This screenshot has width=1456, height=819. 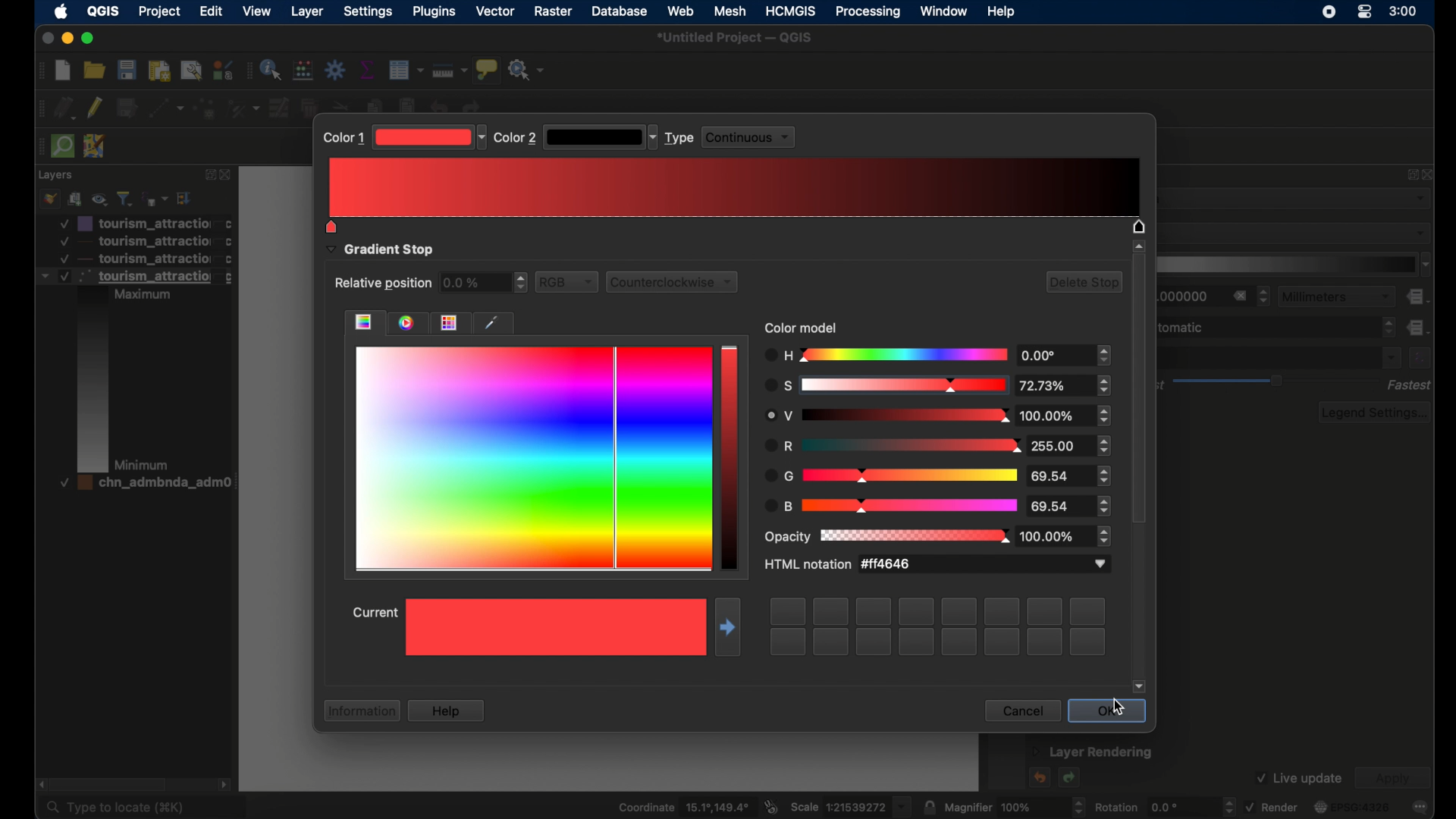 I want to click on maximum value dropdown, so click(x=1276, y=328).